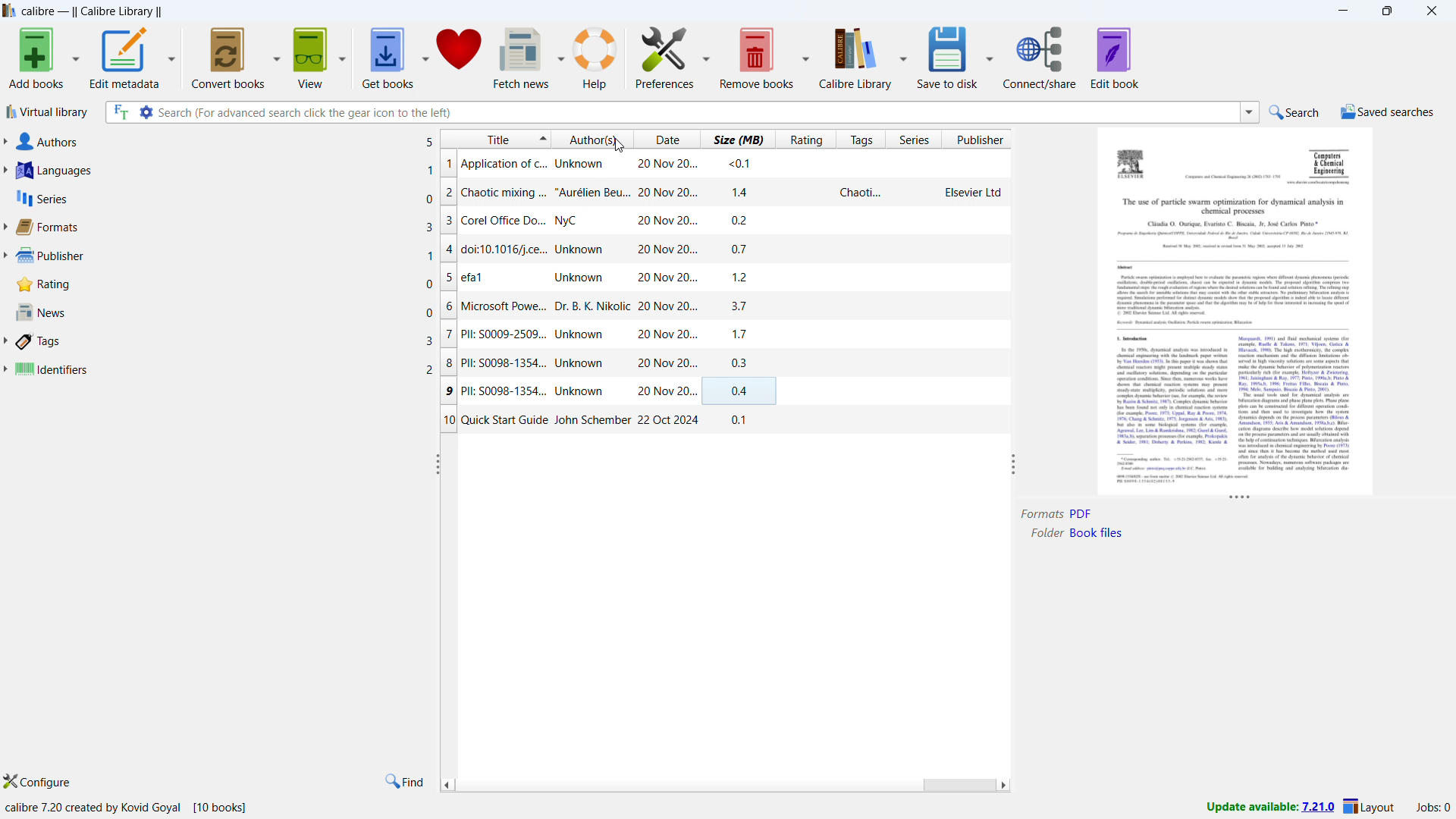 This screenshot has width=1456, height=819. What do you see at coordinates (902, 55) in the screenshot?
I see `calibre library options` at bounding box center [902, 55].